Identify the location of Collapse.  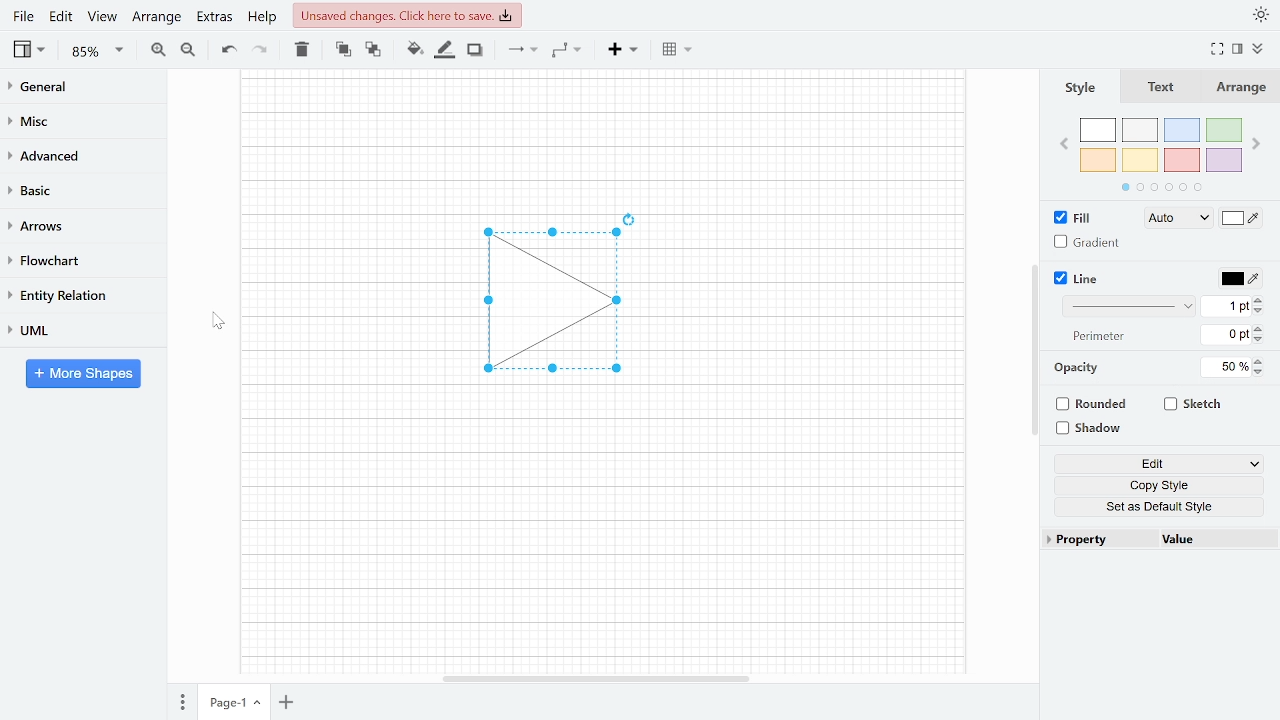
(1265, 51).